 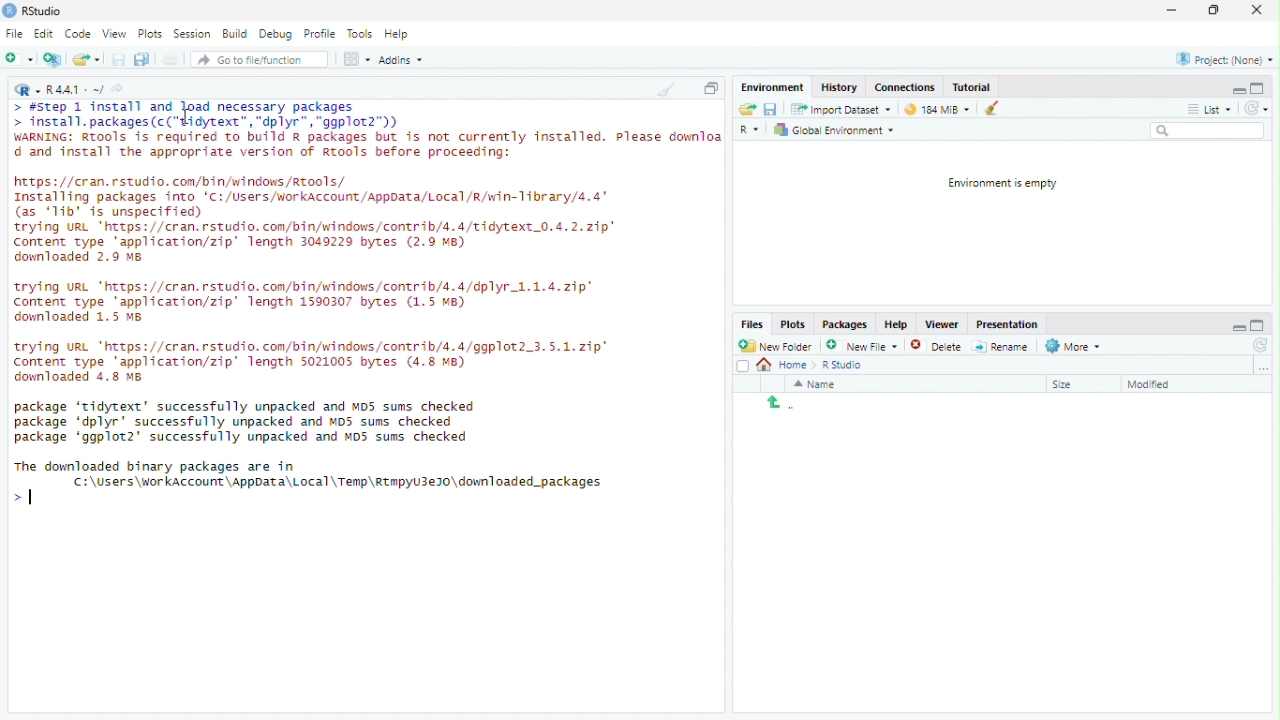 What do you see at coordinates (1259, 325) in the screenshot?
I see `Maximize` at bounding box center [1259, 325].